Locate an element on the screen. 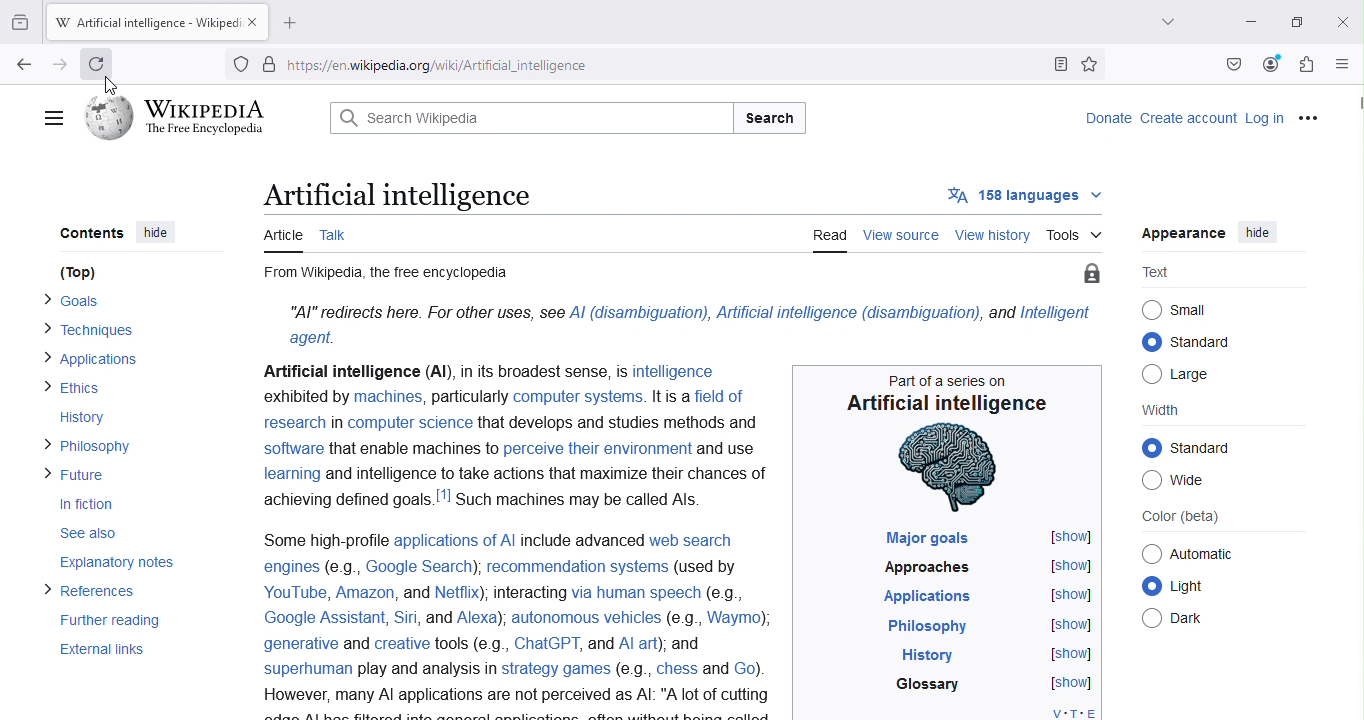 This screenshot has width=1364, height=720. Open application menu is located at coordinates (1344, 62).